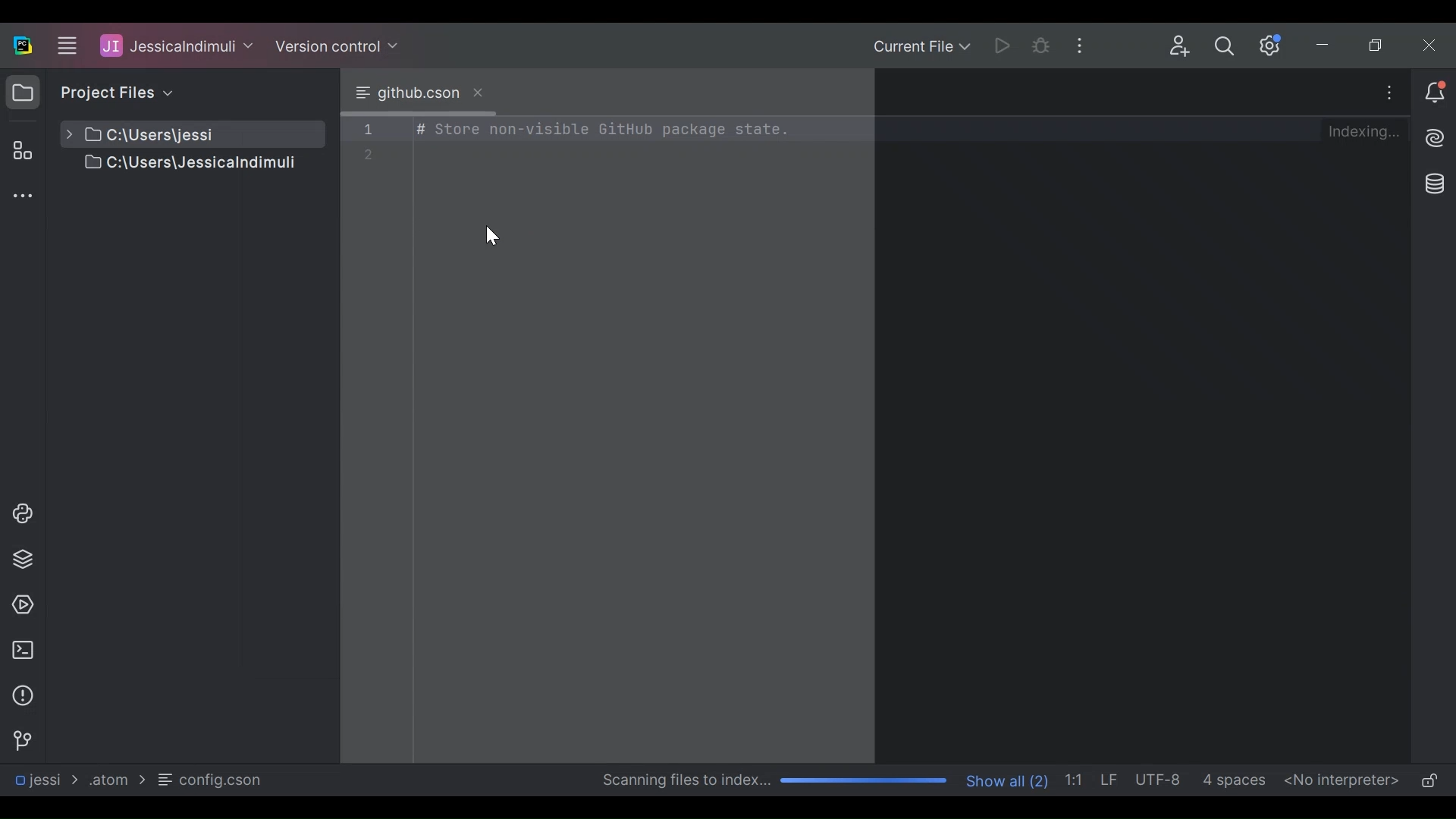  I want to click on More, so click(1389, 93).